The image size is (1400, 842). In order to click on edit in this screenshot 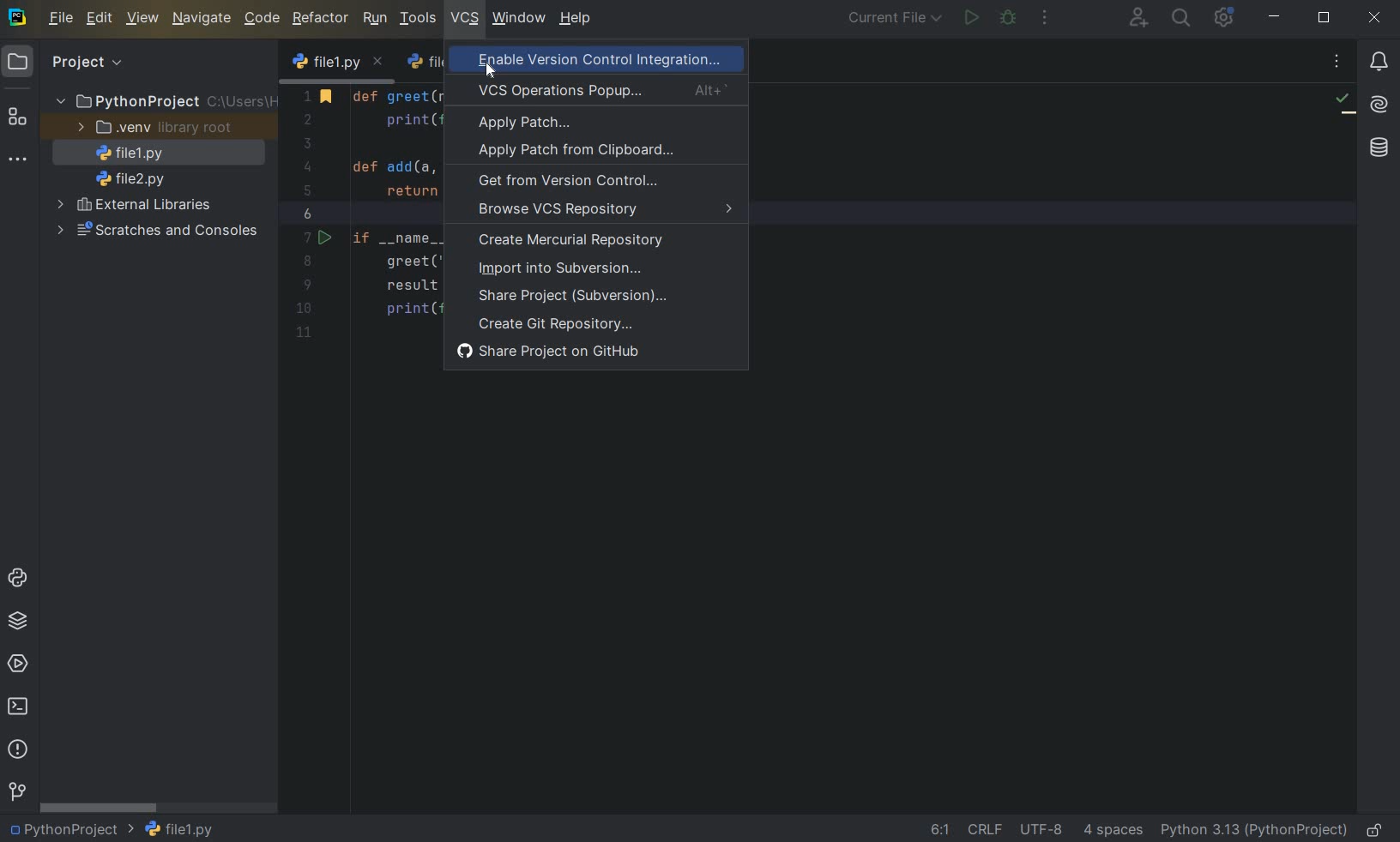, I will do `click(100, 20)`.